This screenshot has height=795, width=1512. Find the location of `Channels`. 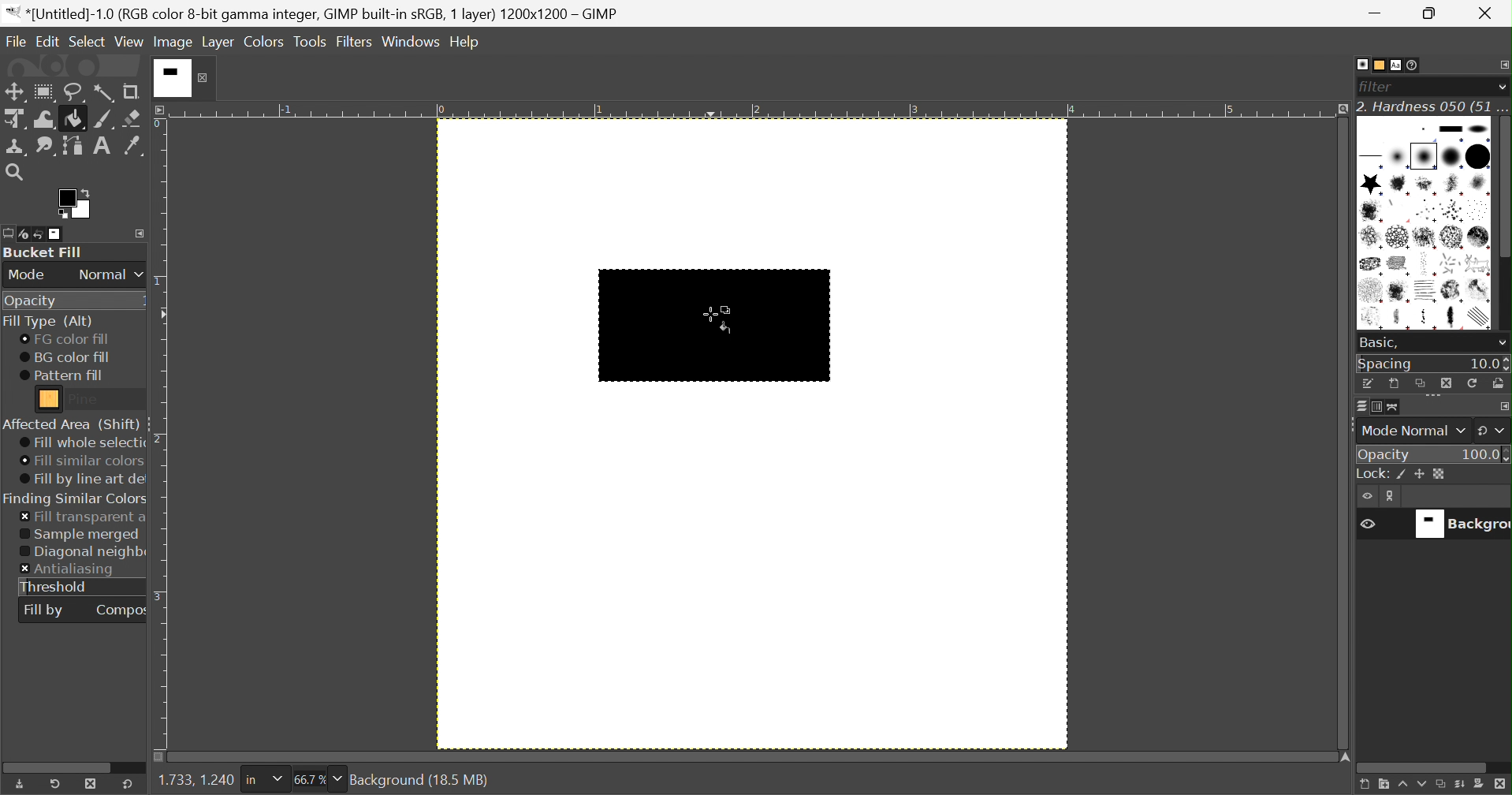

Channels is located at coordinates (1372, 409).